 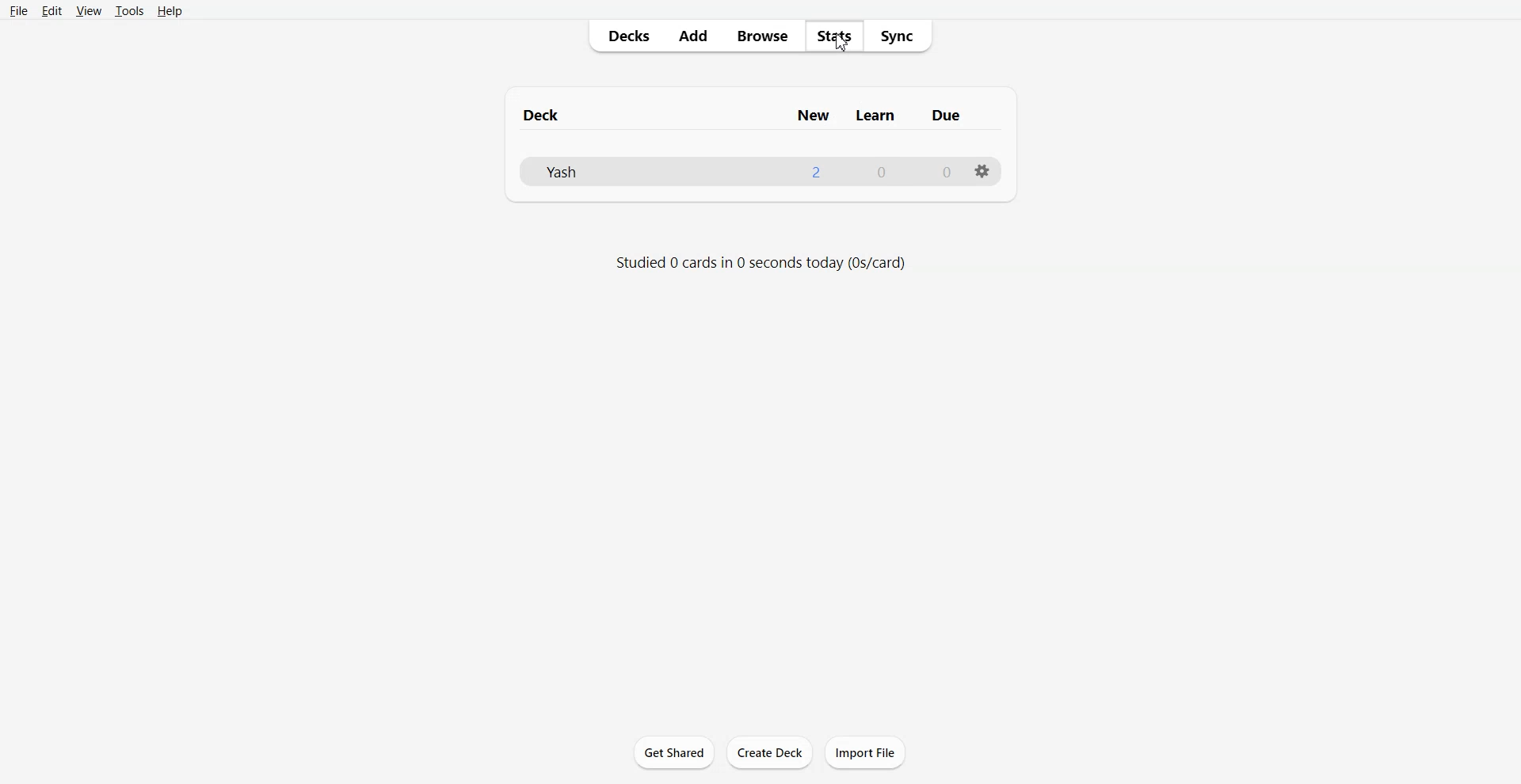 I want to click on cursor, so click(x=841, y=48).